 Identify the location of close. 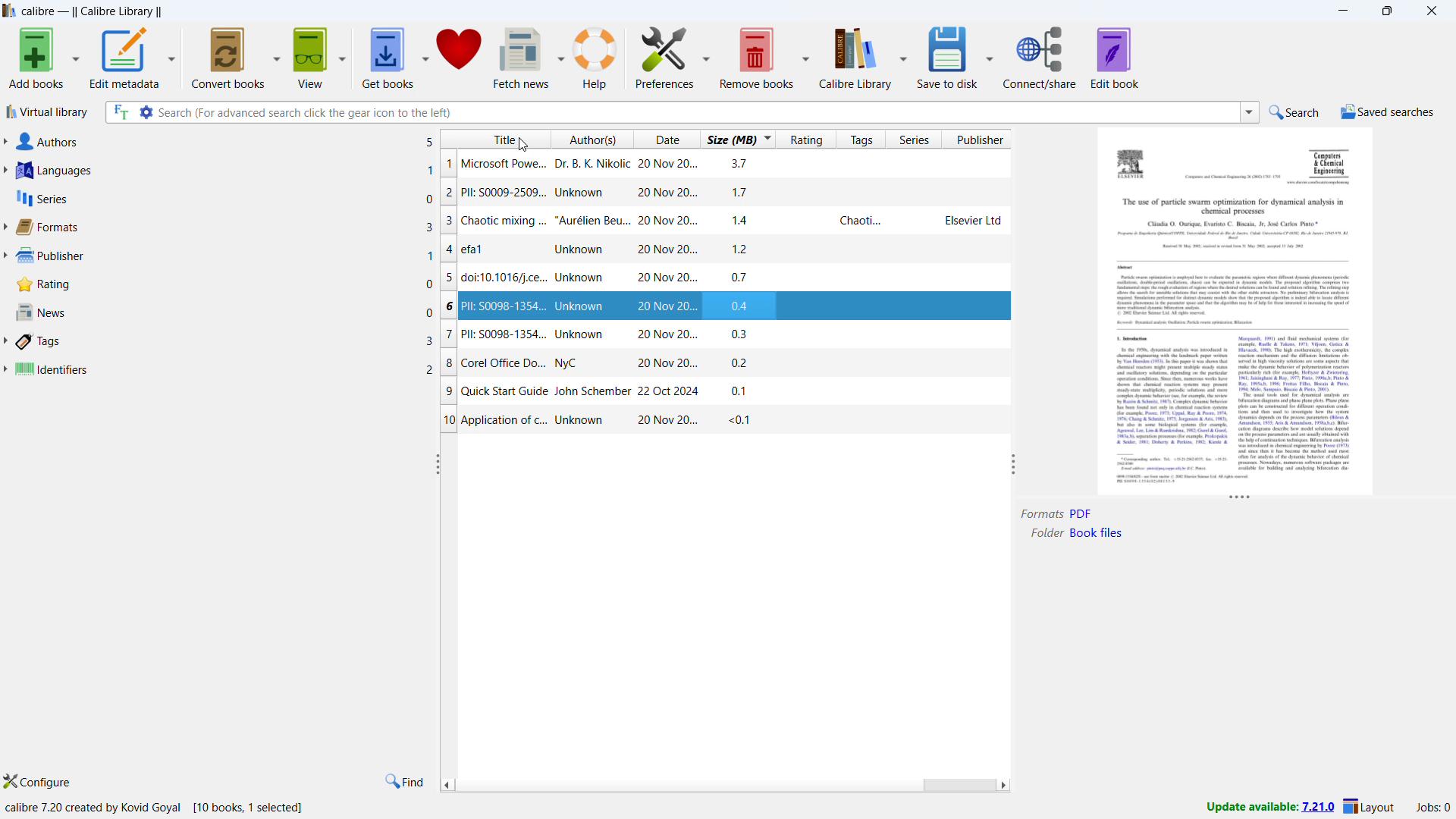
(1432, 9).